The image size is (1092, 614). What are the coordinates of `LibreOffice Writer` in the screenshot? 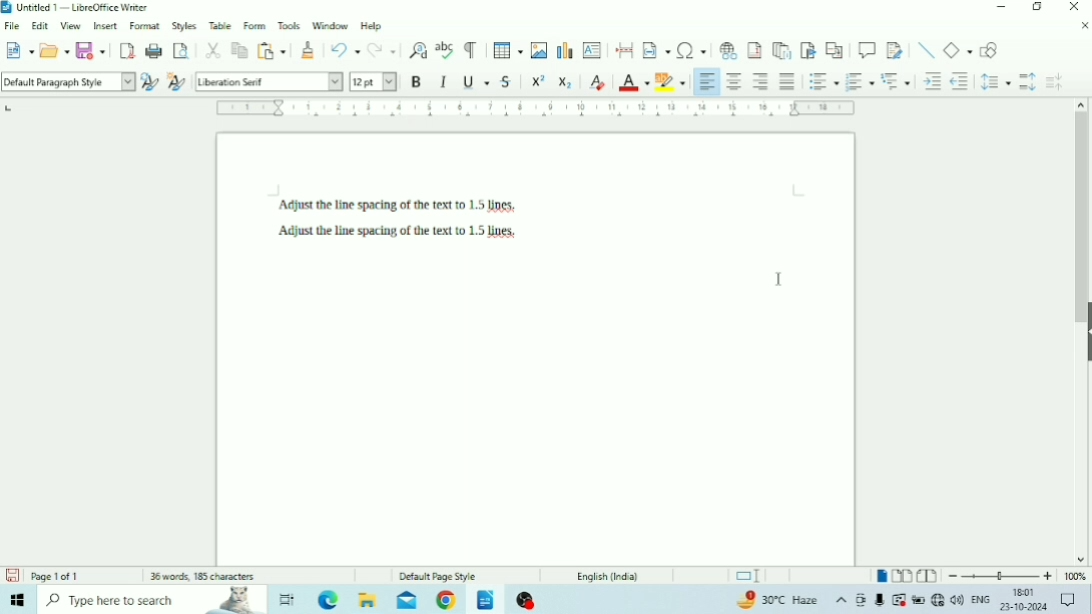 It's located at (484, 600).